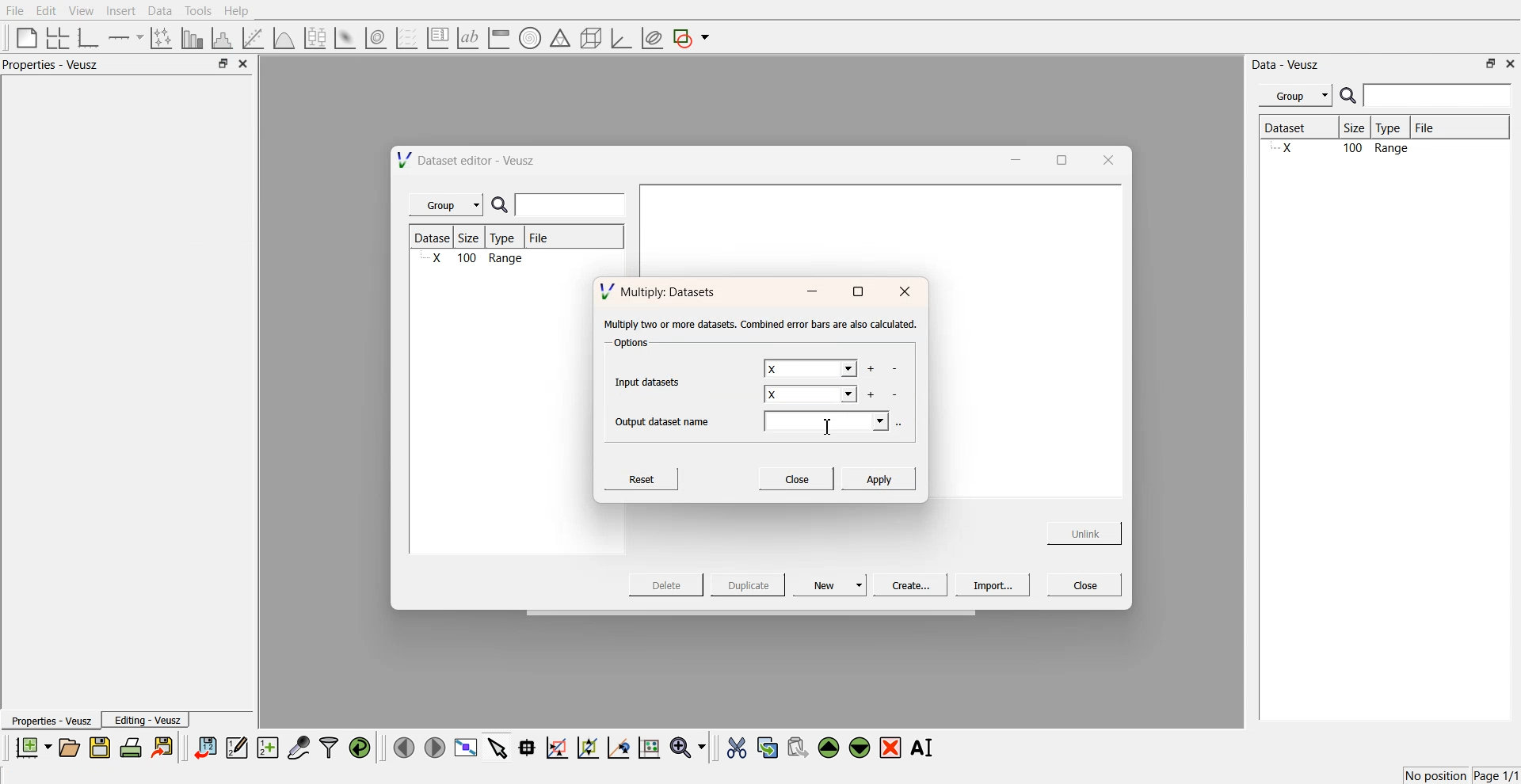  What do you see at coordinates (896, 395) in the screenshot?
I see `delete datasets` at bounding box center [896, 395].